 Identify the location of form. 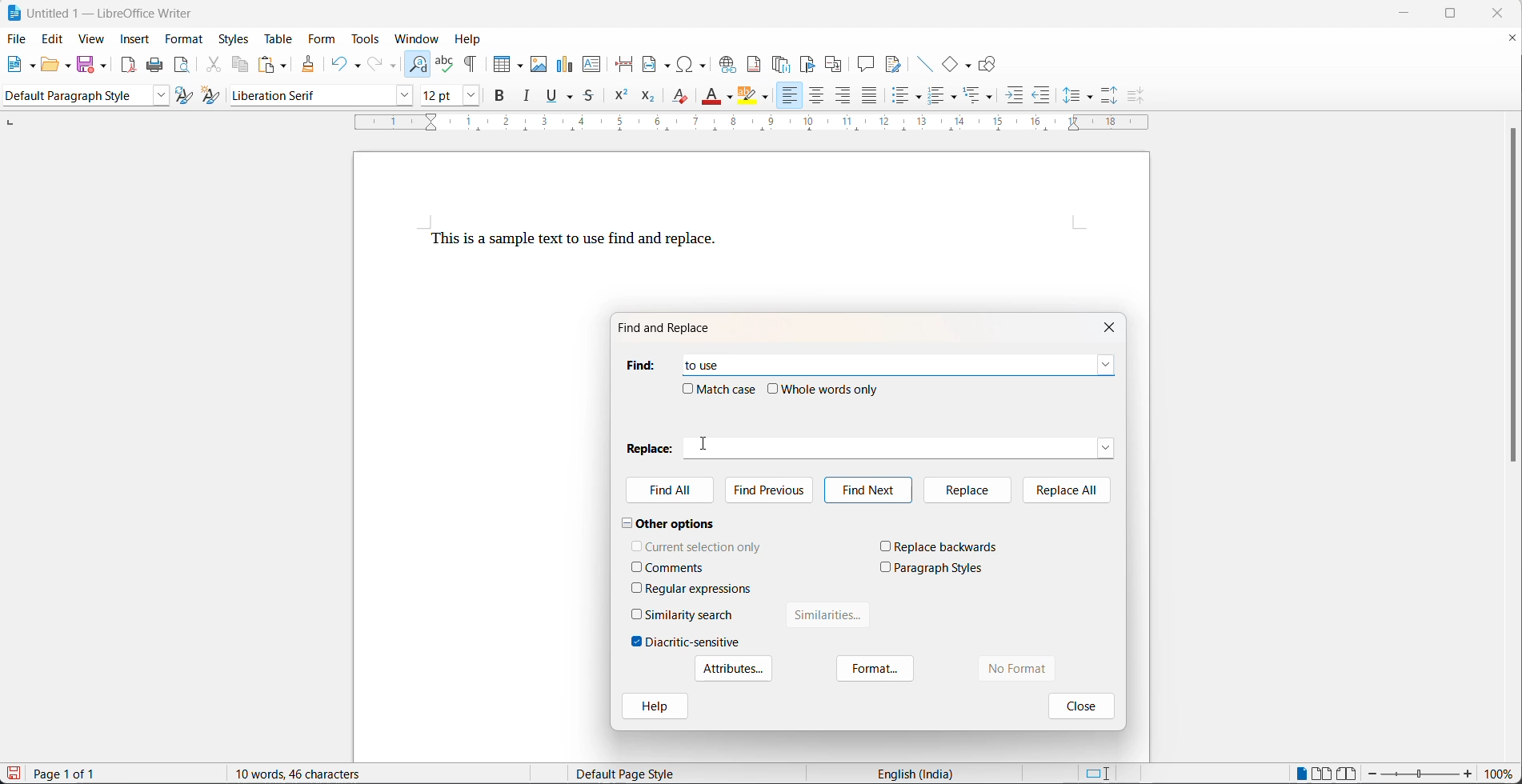
(321, 40).